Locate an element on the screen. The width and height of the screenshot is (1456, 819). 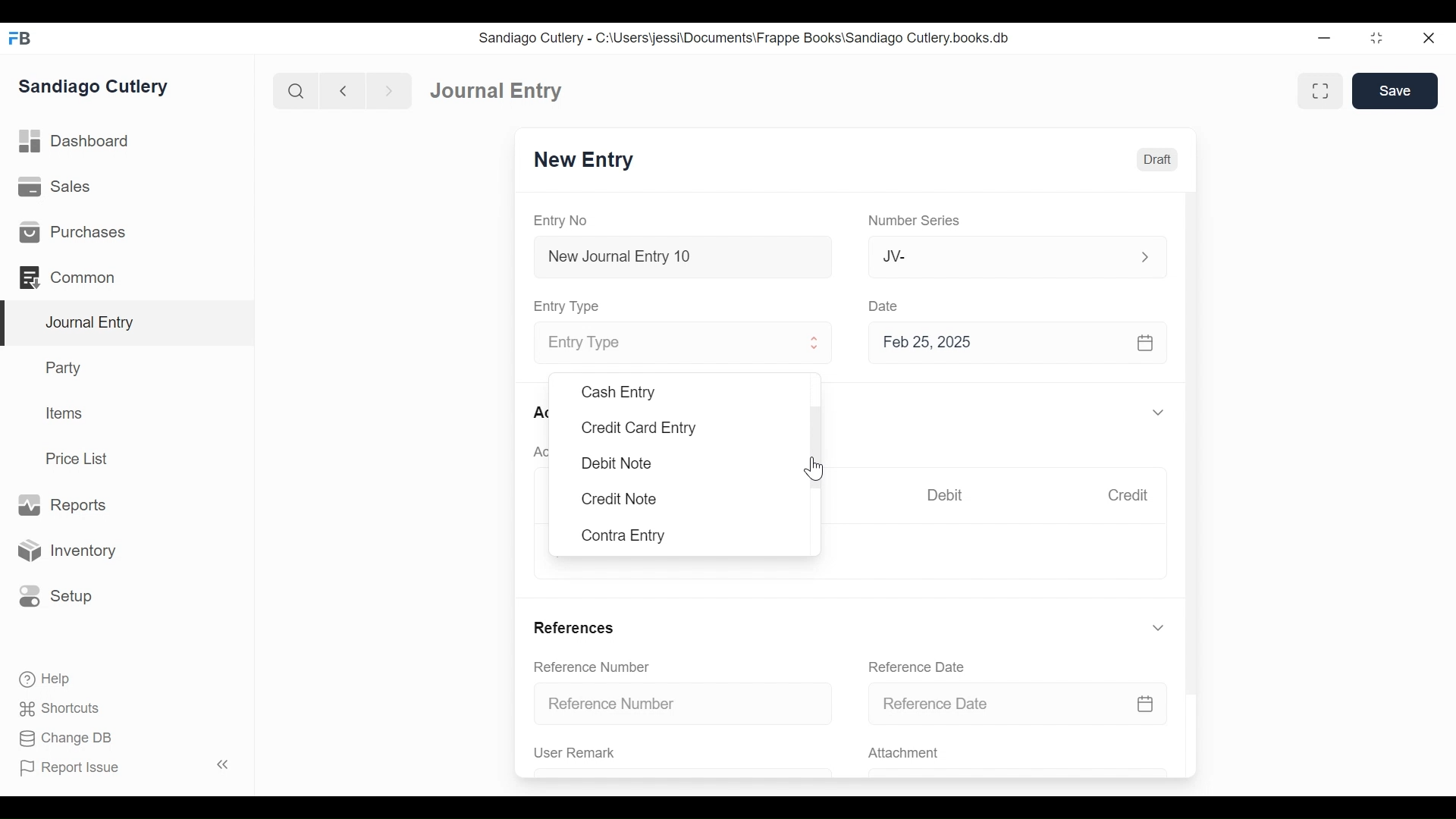
Frappe Books Desktop icon is located at coordinates (19, 38).